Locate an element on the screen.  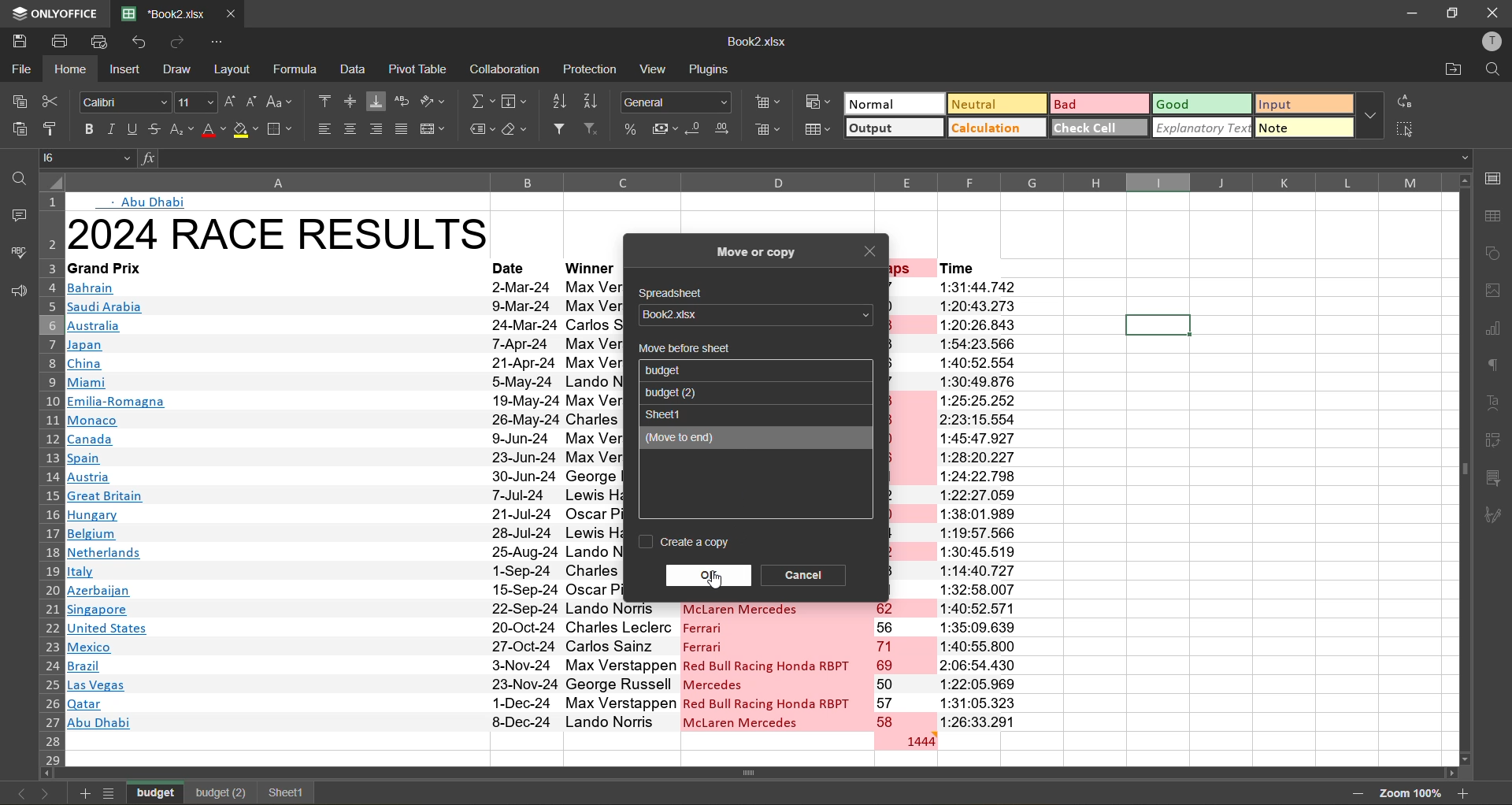
filter is located at coordinates (563, 131).